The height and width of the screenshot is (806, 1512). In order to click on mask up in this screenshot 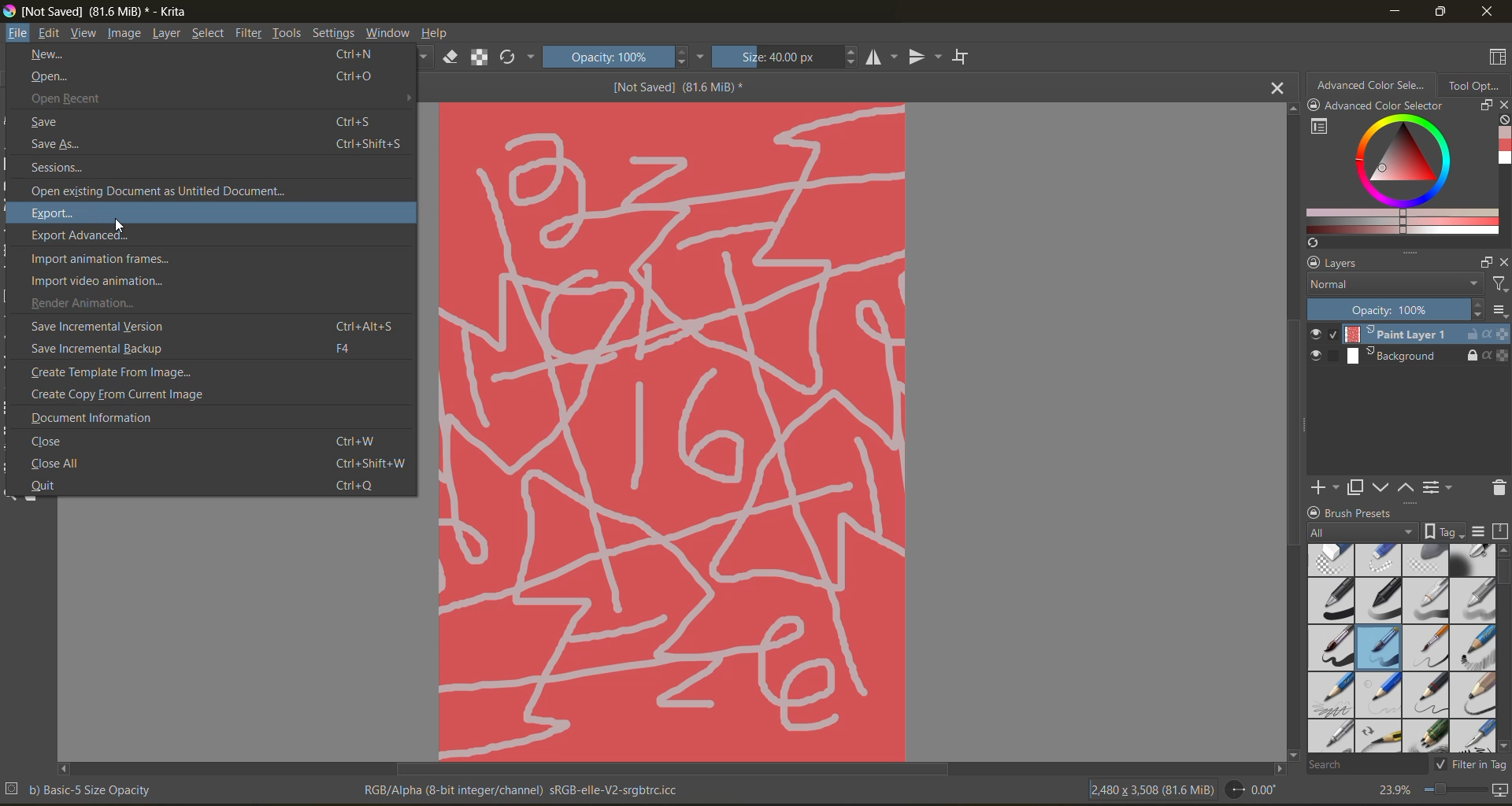, I will do `click(1407, 486)`.